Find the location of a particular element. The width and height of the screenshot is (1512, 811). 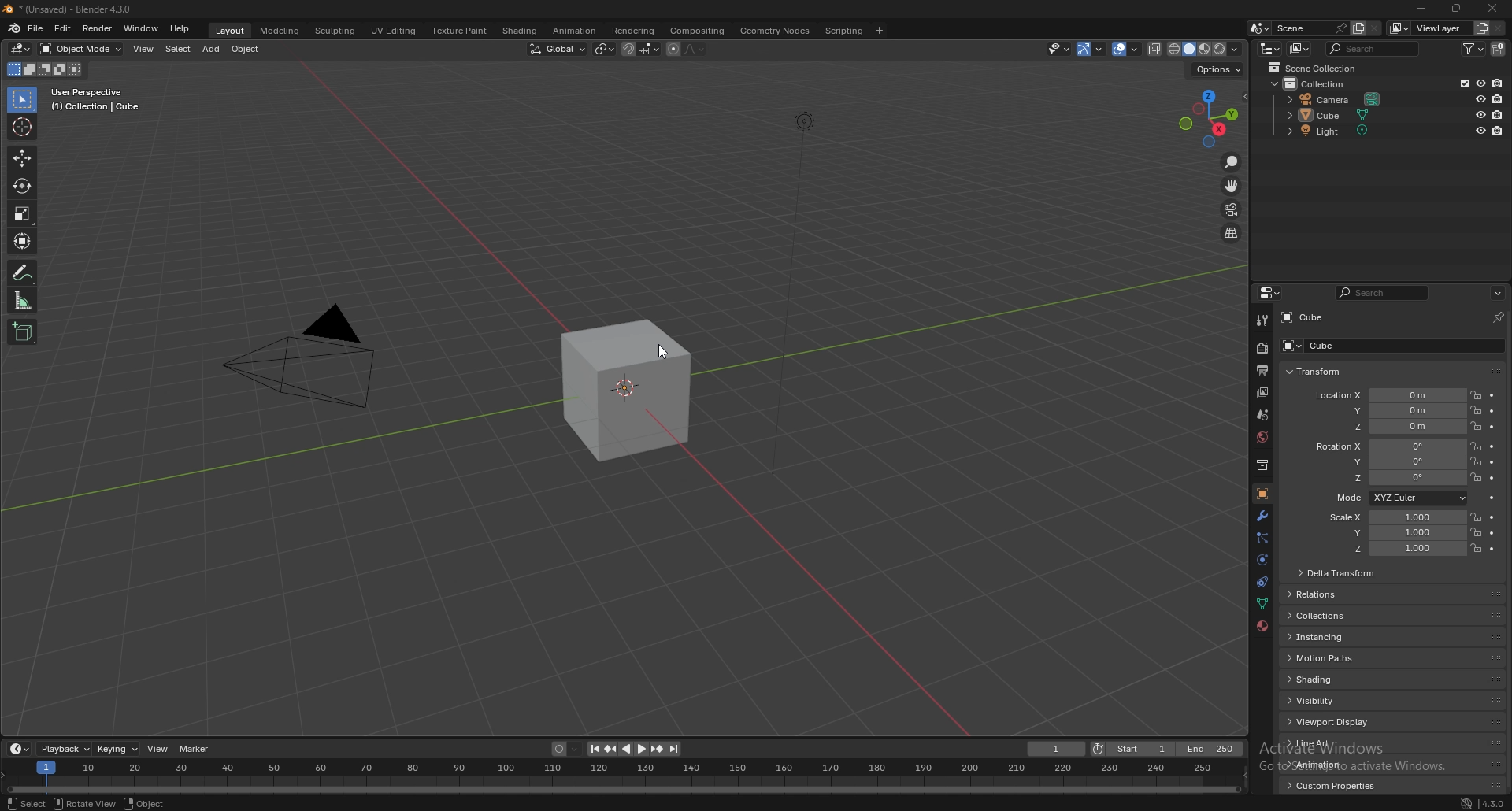

location x is located at coordinates (1385, 395).